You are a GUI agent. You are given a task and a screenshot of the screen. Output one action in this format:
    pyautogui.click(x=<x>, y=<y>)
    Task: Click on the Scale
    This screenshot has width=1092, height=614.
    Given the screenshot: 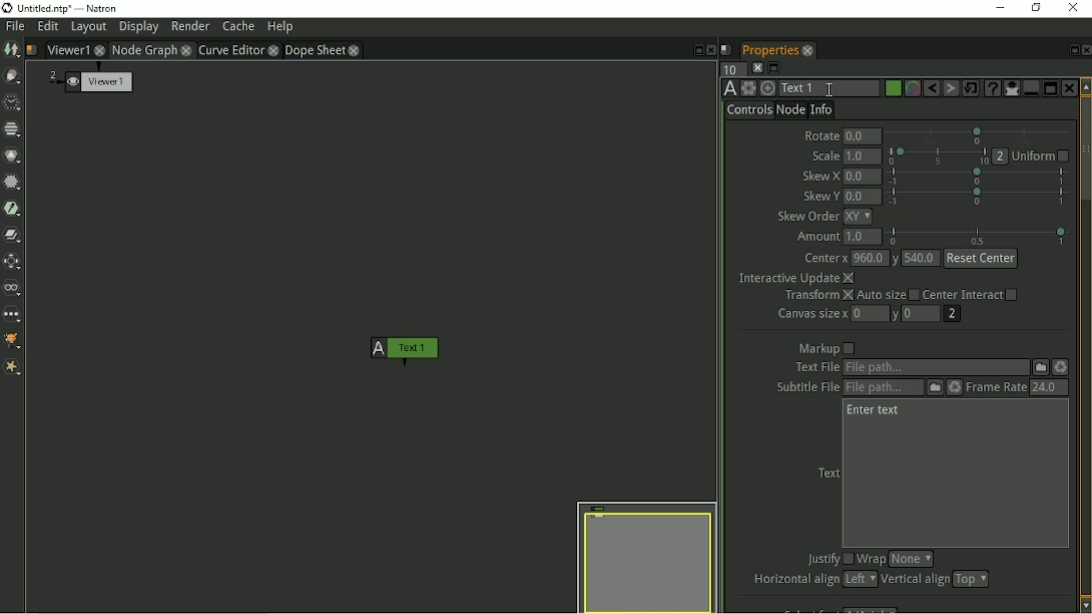 What is the action you would take?
    pyautogui.click(x=824, y=155)
    